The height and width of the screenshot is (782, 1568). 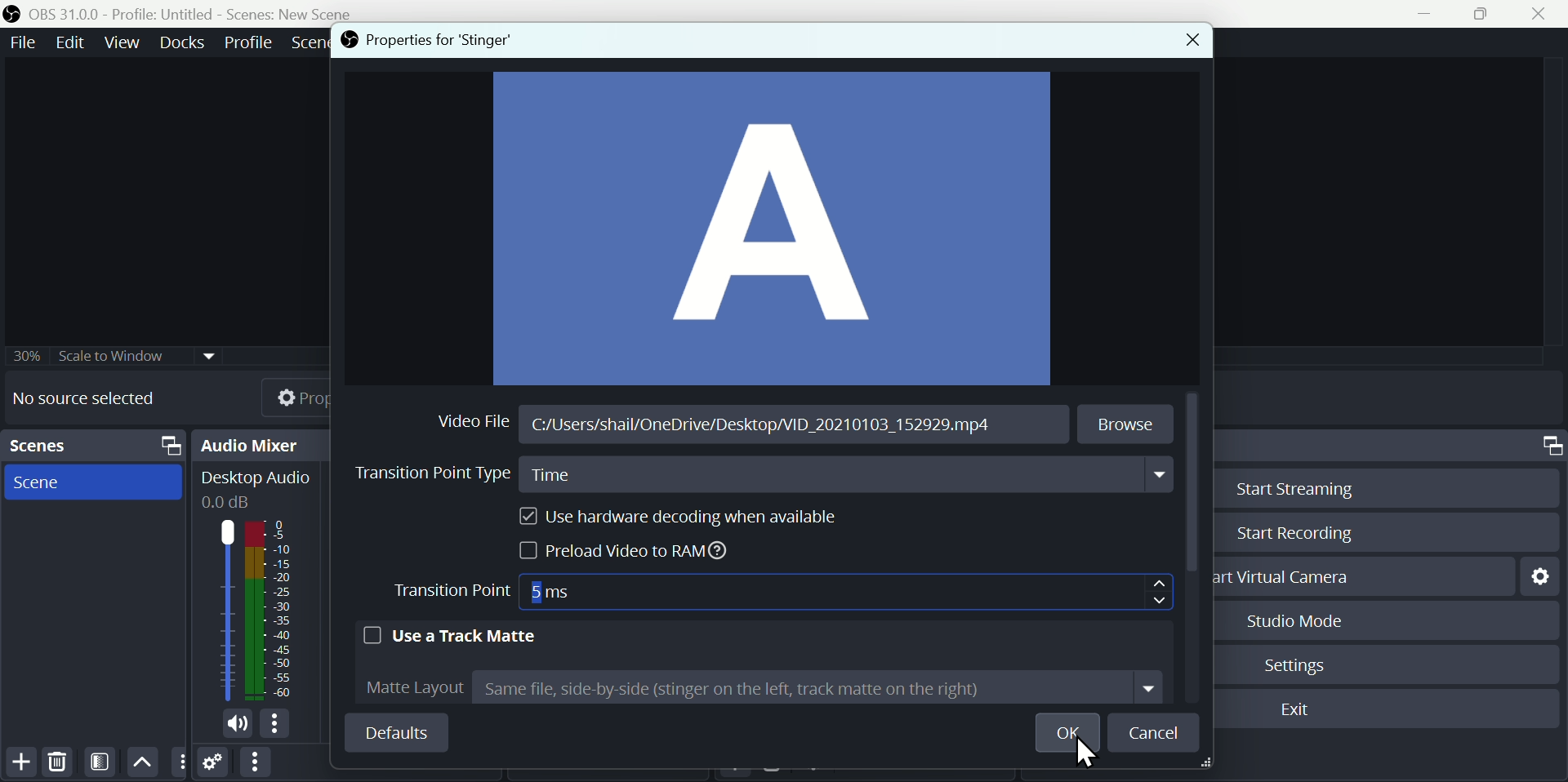 What do you see at coordinates (93, 482) in the screenshot?
I see `scenes` at bounding box center [93, 482].